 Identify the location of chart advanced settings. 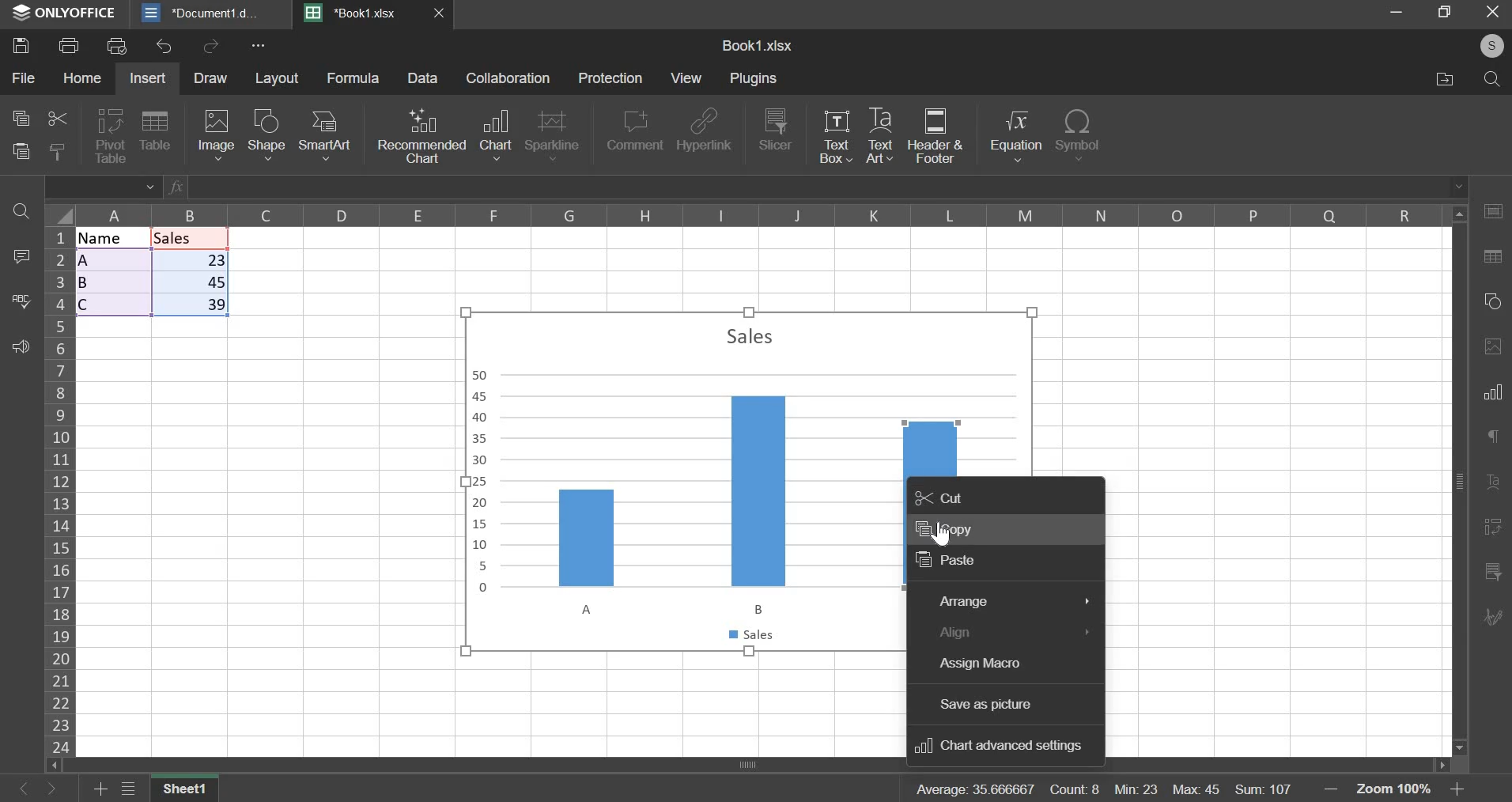
(1007, 746).